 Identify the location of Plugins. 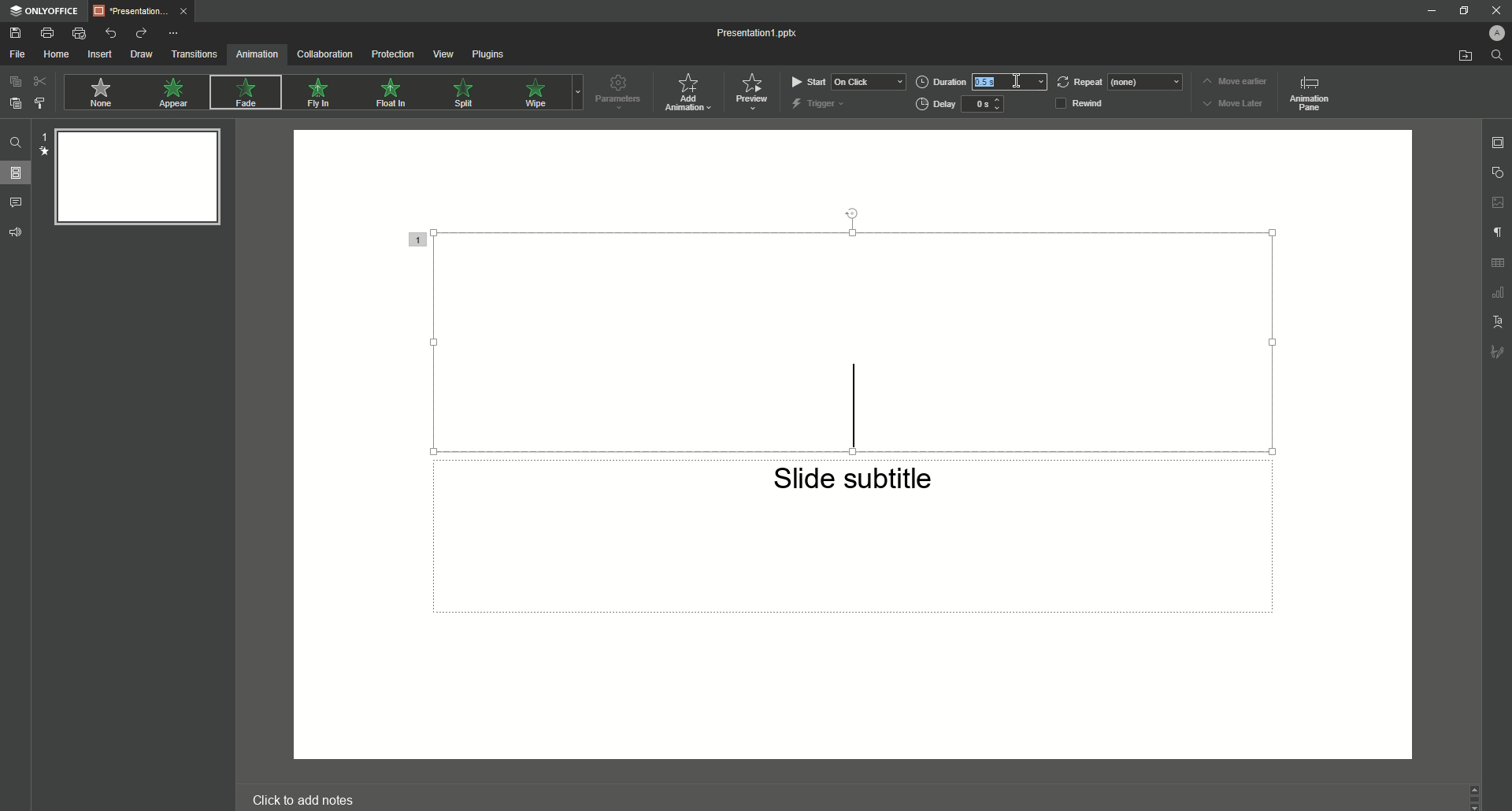
(487, 54).